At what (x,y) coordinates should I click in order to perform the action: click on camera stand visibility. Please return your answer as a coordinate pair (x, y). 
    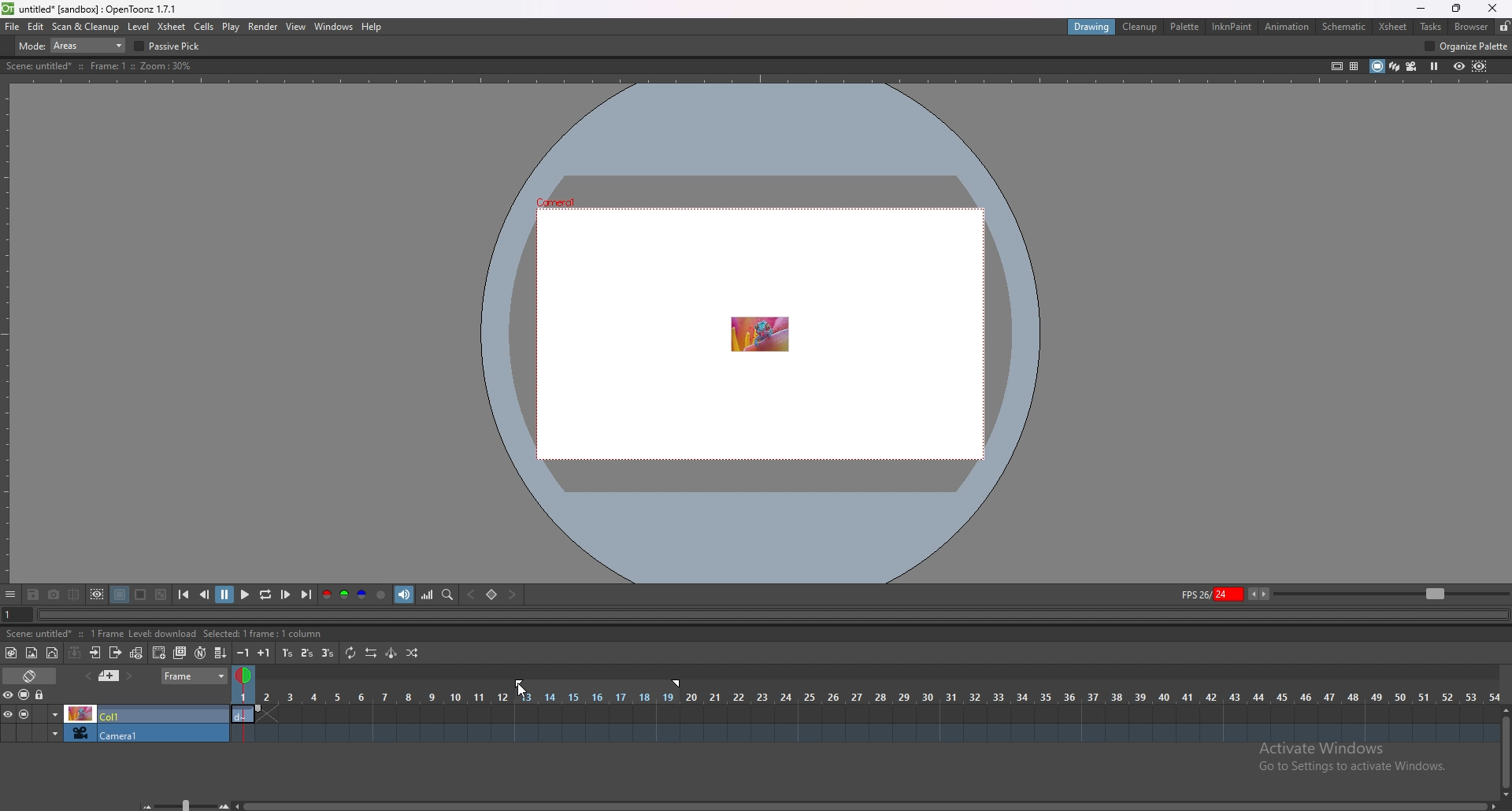
    Looking at the image, I should click on (25, 695).